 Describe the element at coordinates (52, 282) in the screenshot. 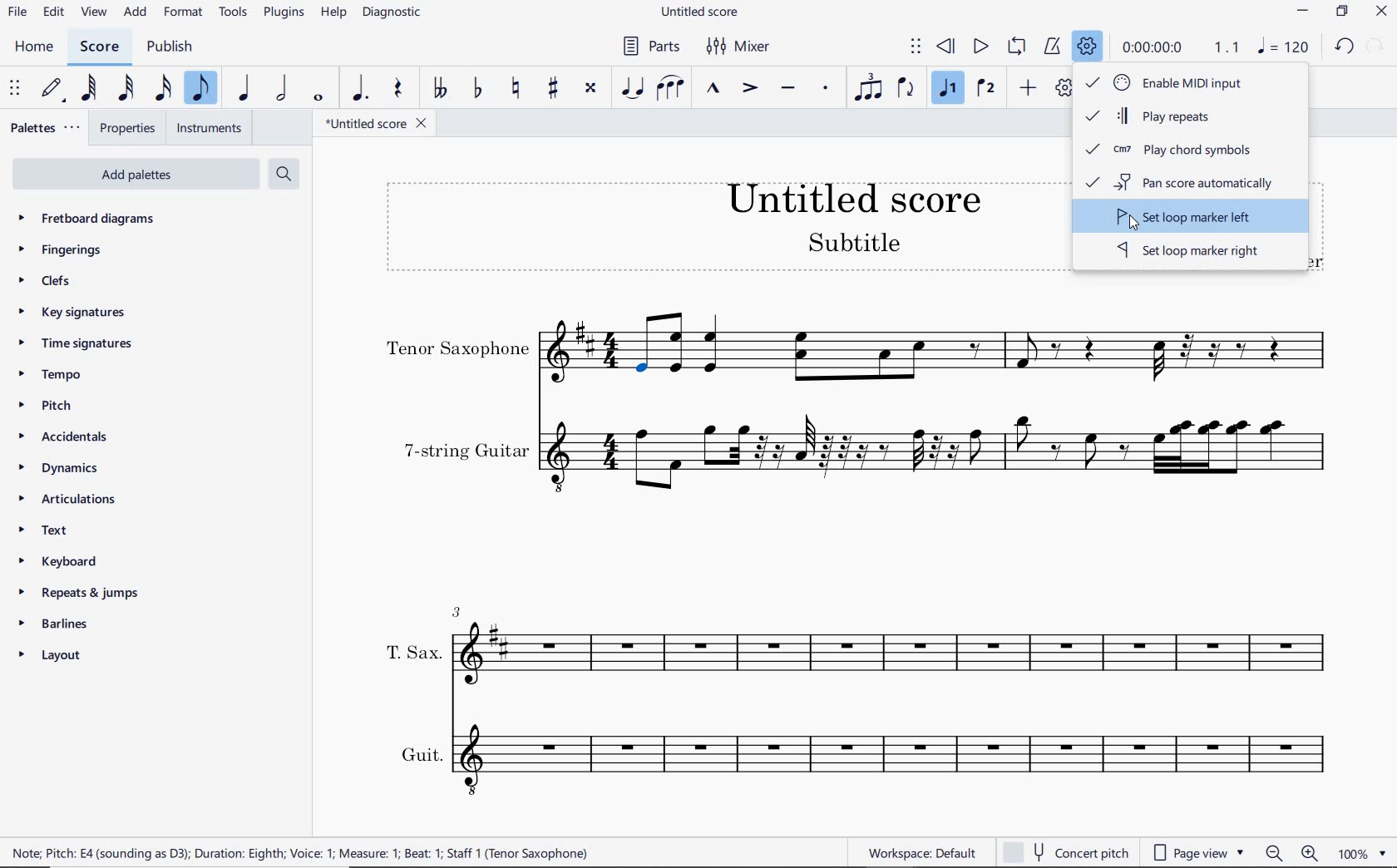

I see `CLEFS` at that location.